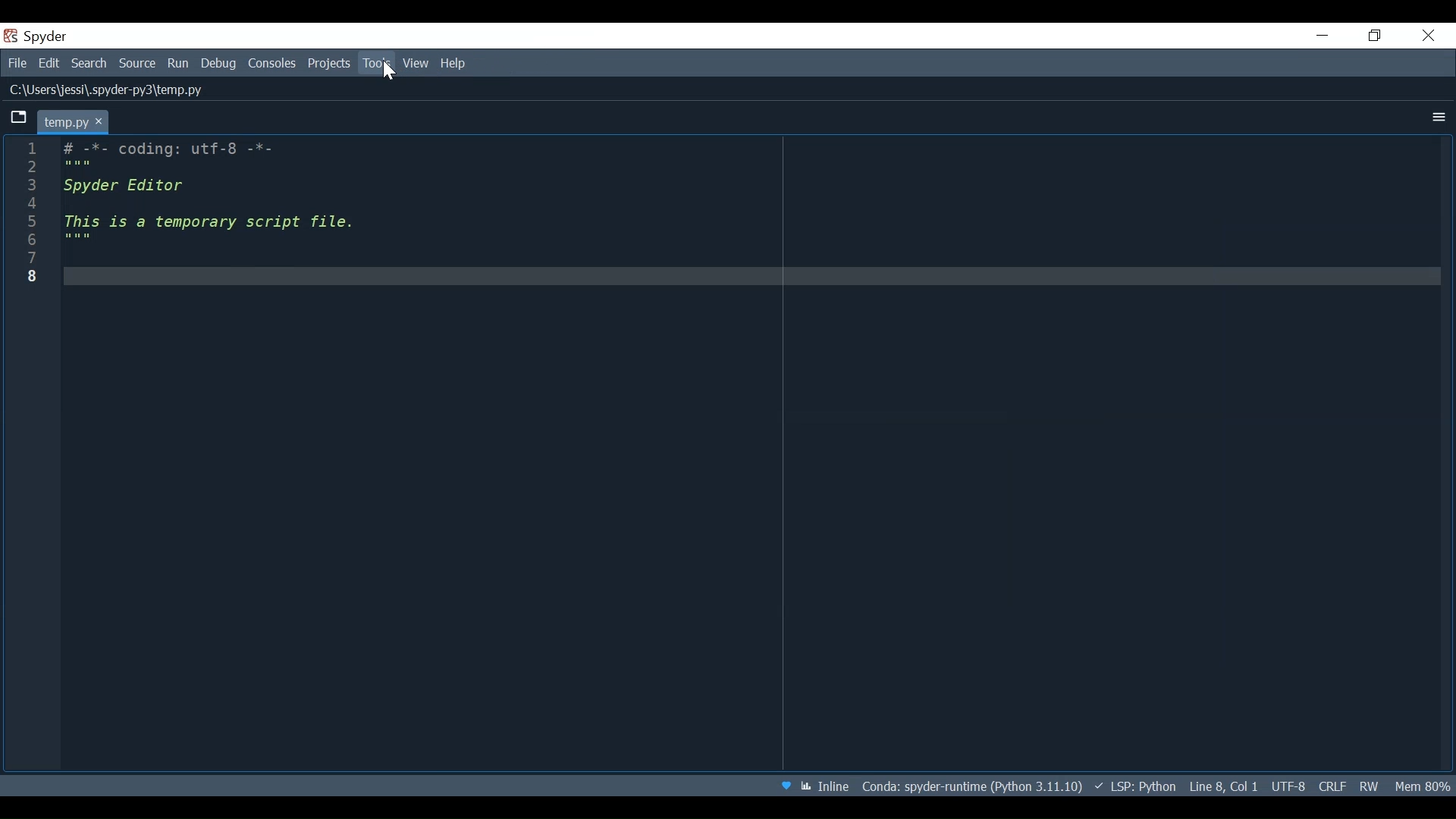 The image size is (1456, 819). I want to click on File, so click(15, 63).